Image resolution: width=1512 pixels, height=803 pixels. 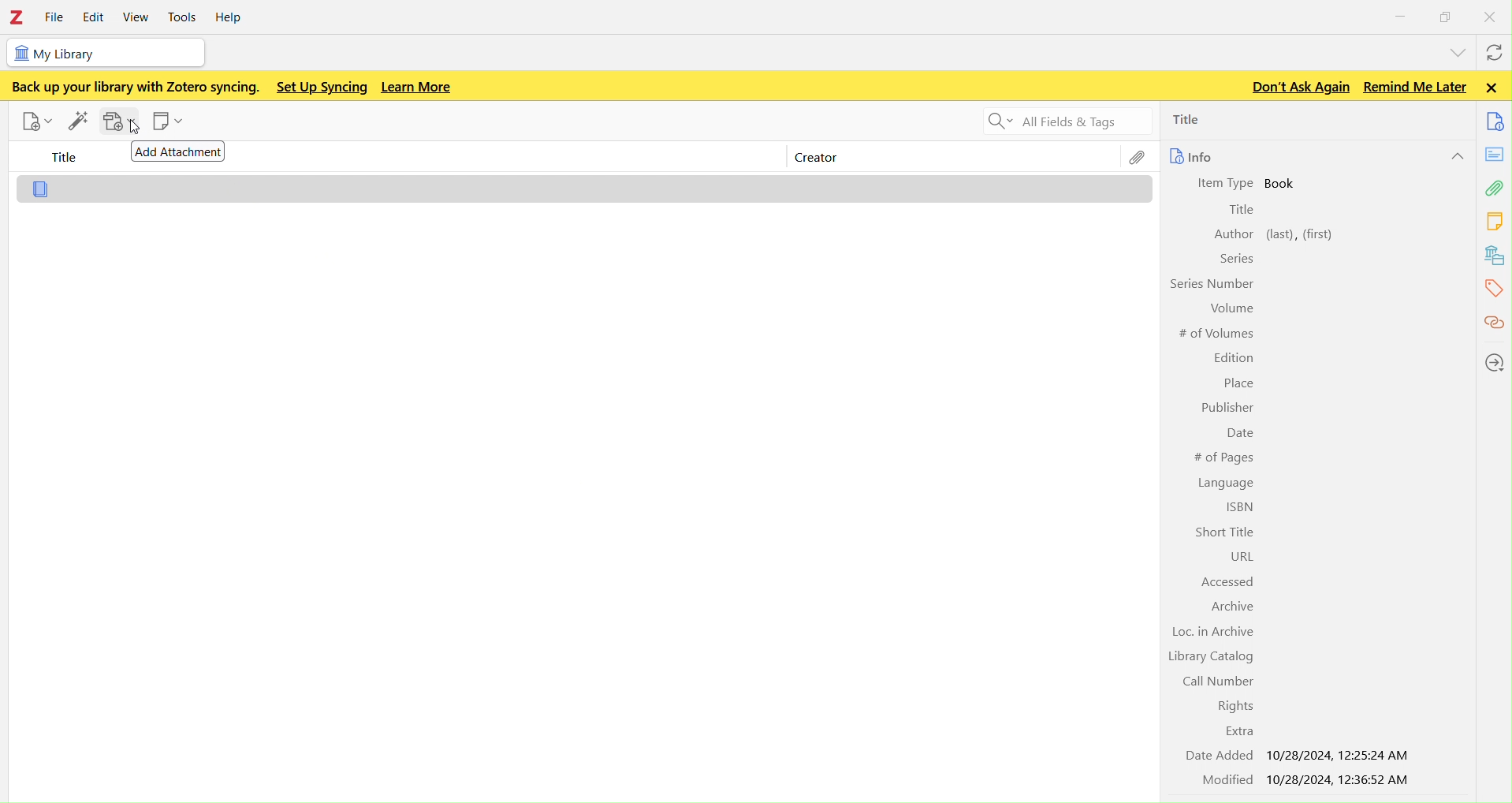 I want to click on documents, so click(x=1497, y=121).